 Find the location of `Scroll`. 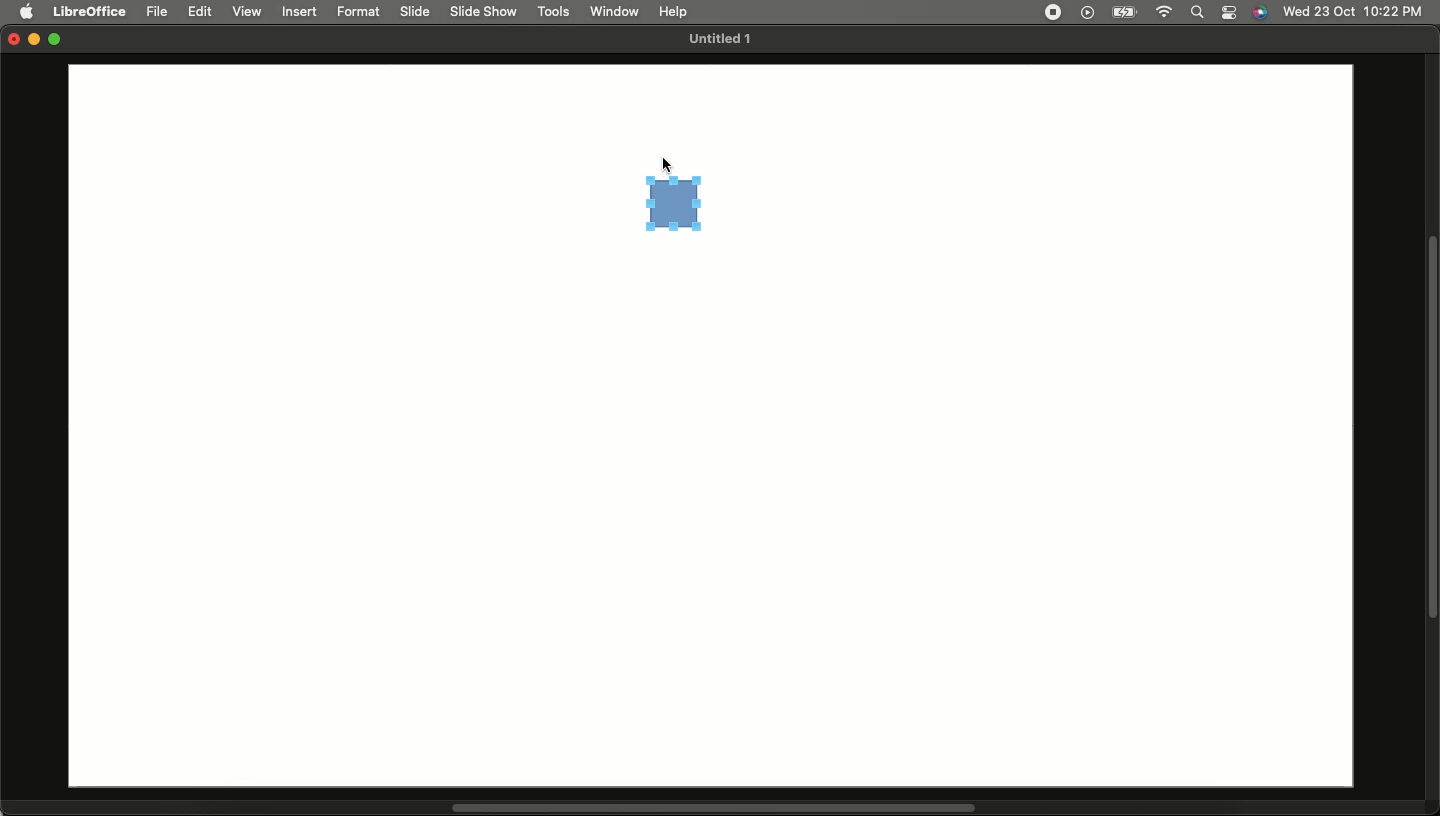

Scroll is located at coordinates (714, 808).